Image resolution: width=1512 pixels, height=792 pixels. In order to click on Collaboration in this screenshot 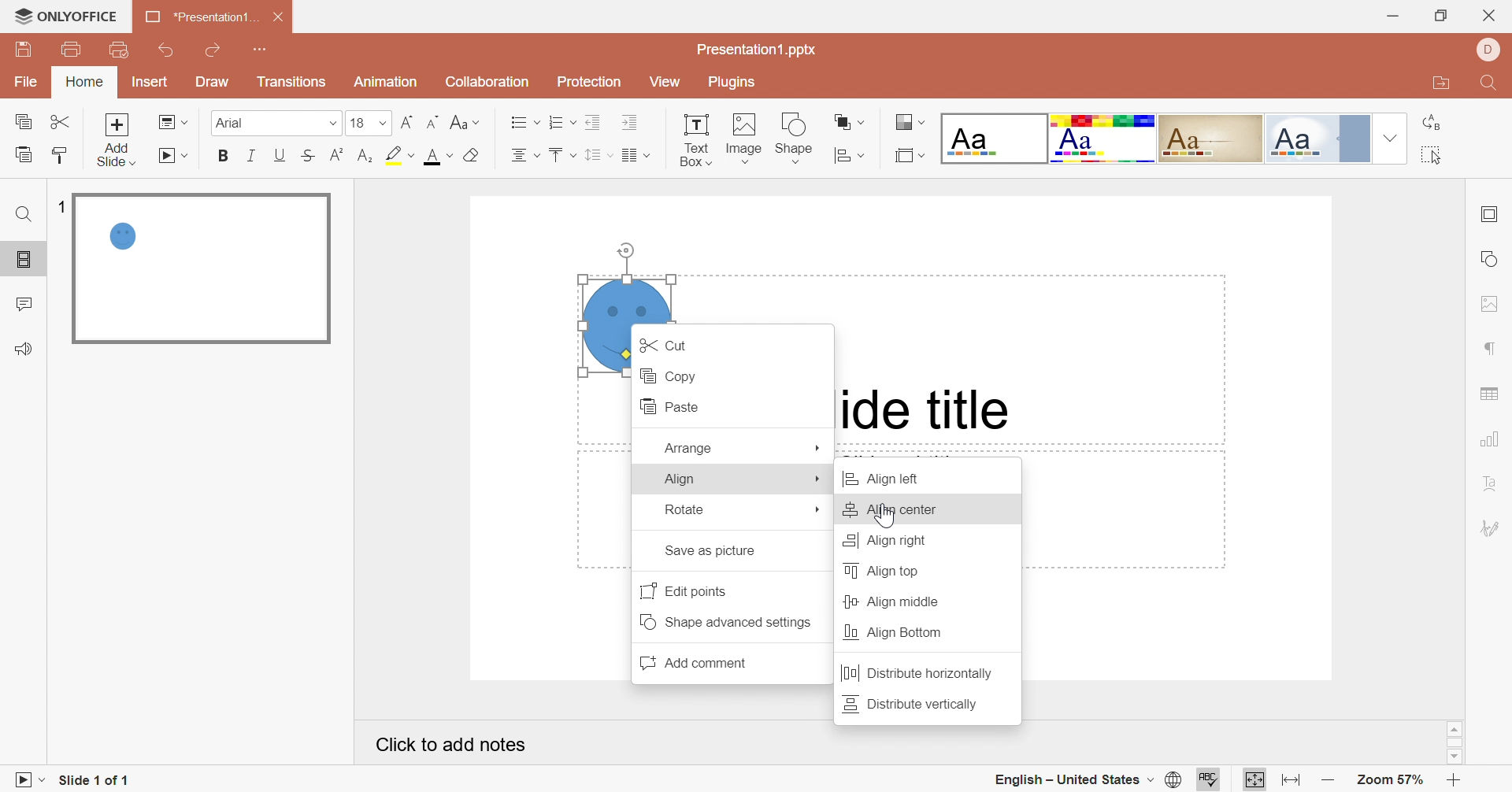, I will do `click(484, 82)`.